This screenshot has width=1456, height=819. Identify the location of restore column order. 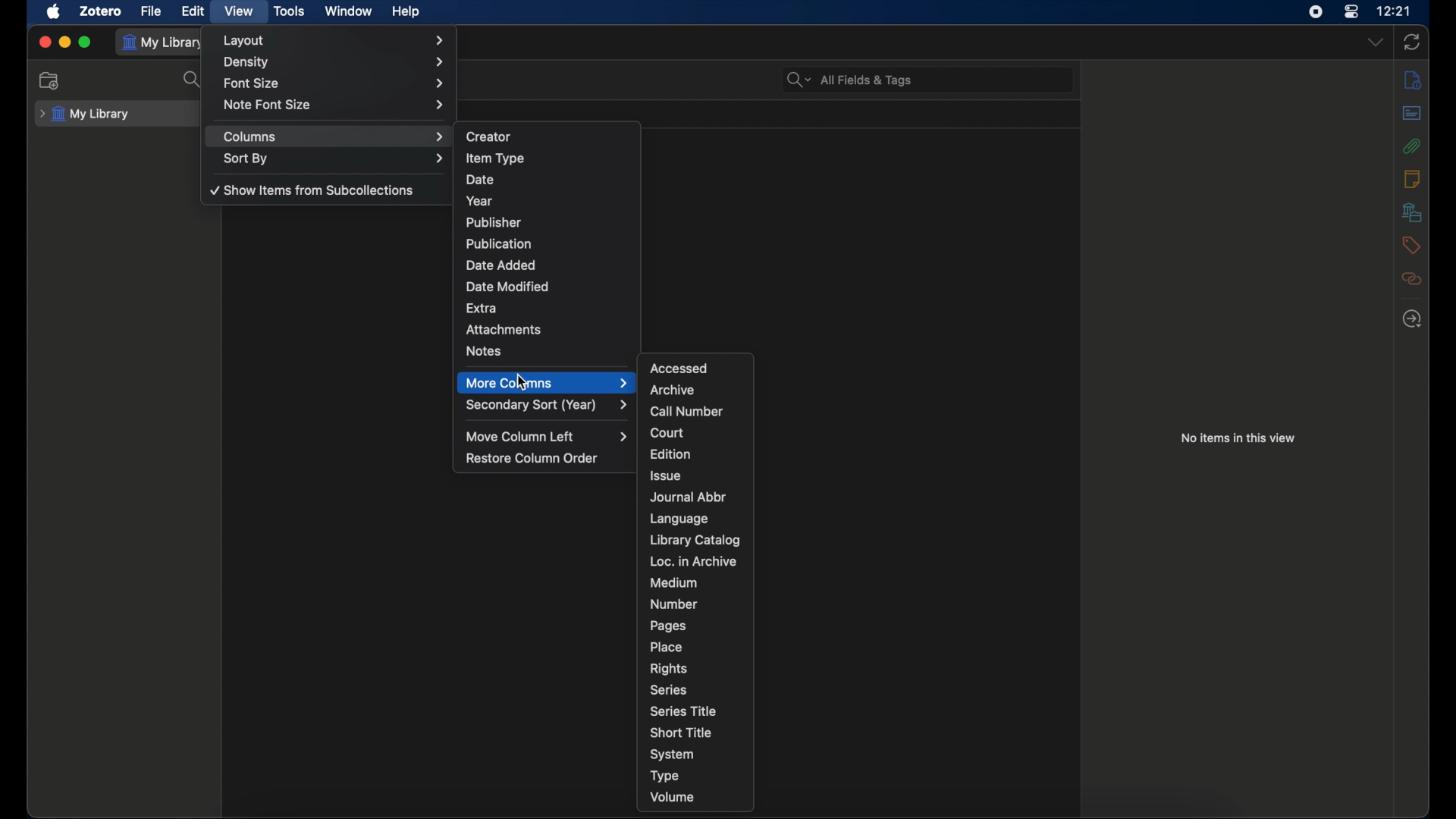
(533, 458).